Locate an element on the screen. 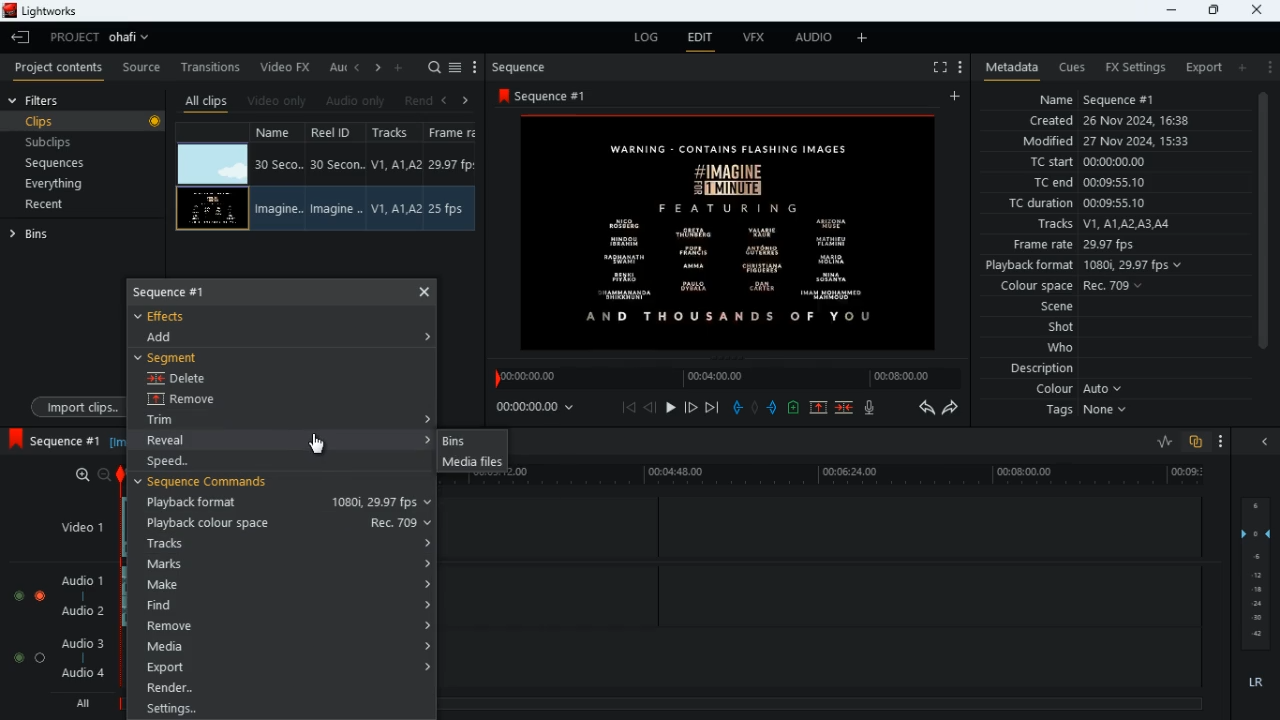 This screenshot has width=1280, height=720. remove is located at coordinates (197, 401).